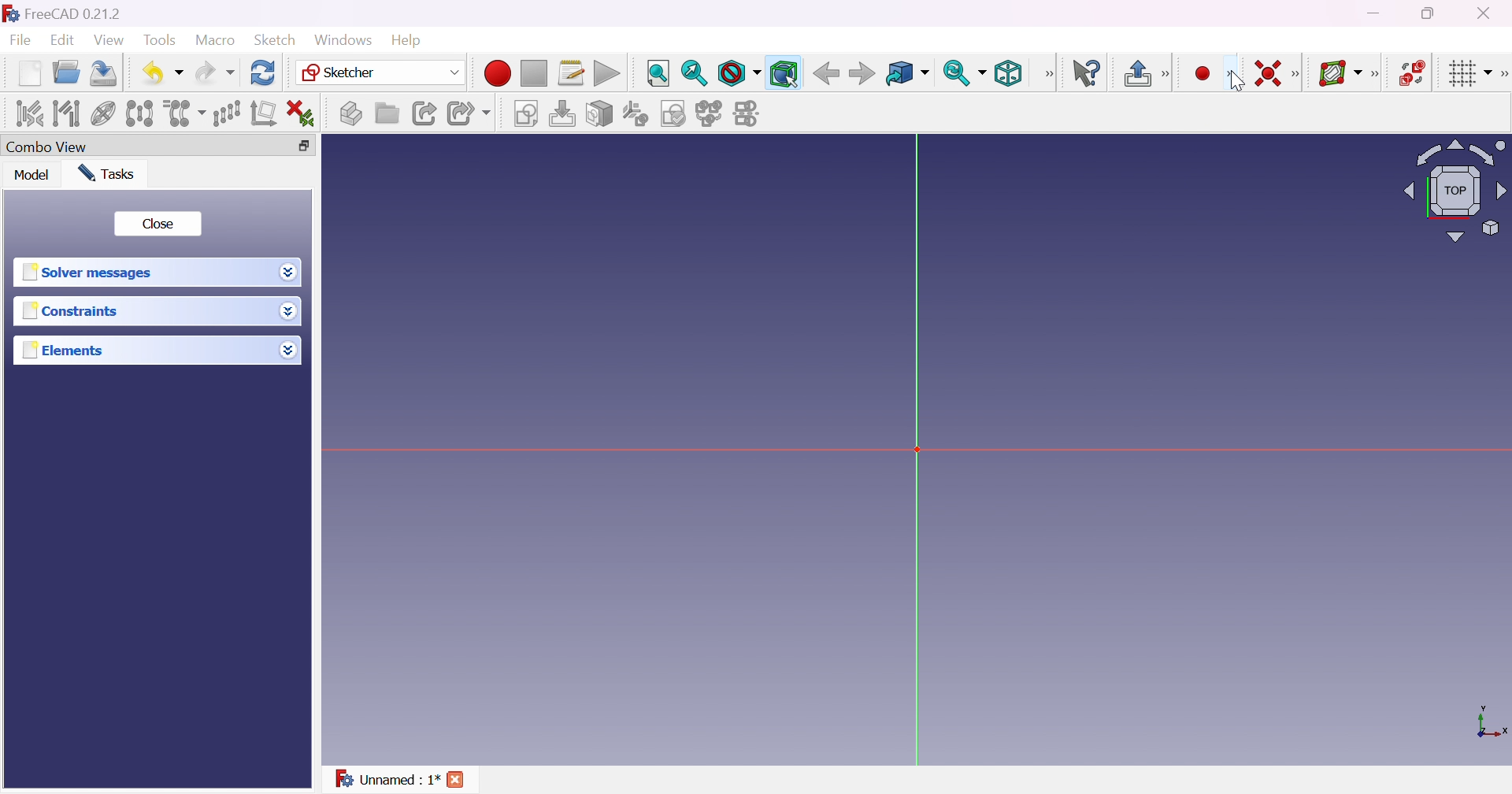 This screenshot has height=794, width=1512. Describe the element at coordinates (91, 273) in the screenshot. I see `Solver message` at that location.